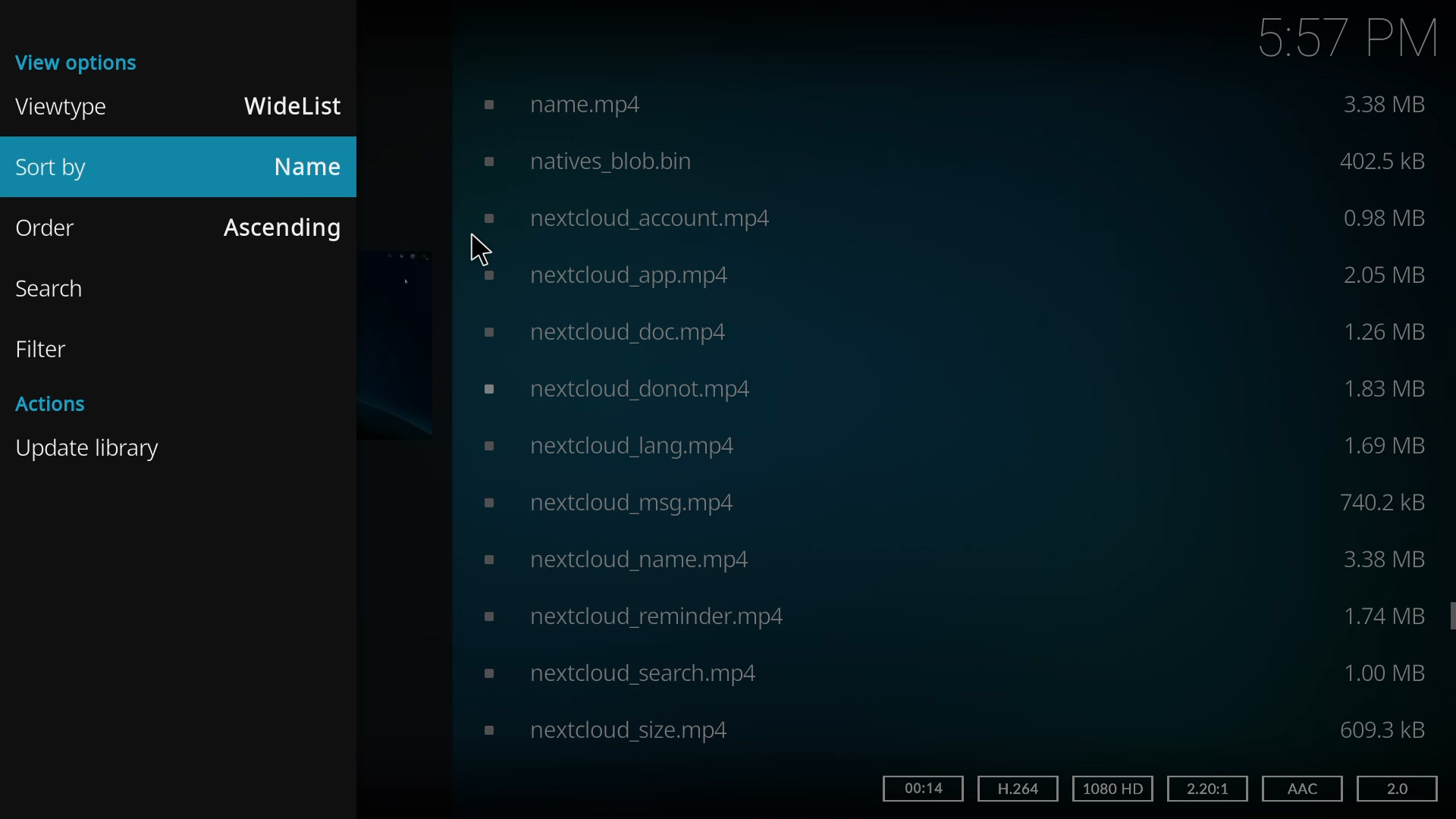  I want to click on video, so click(607, 503).